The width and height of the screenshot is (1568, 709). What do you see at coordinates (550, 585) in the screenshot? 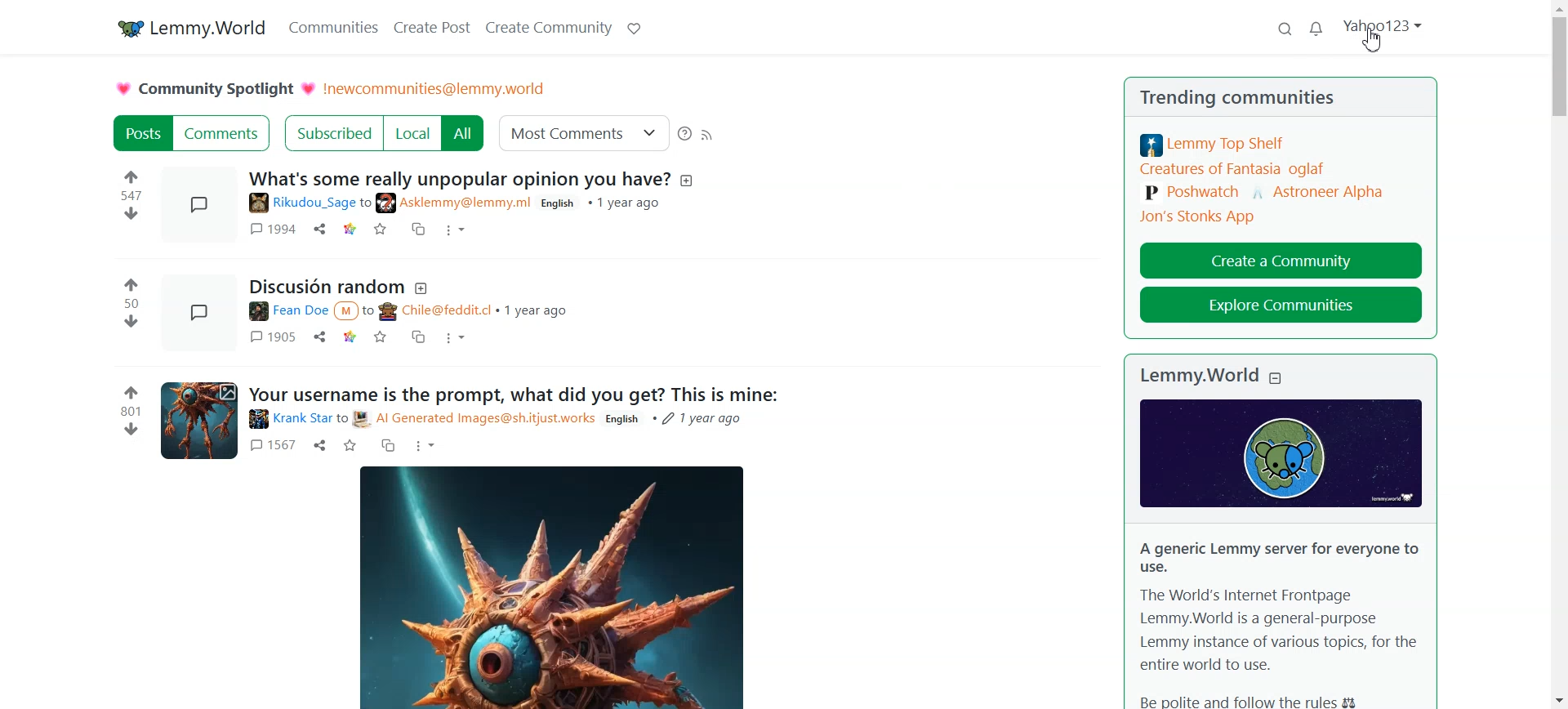
I see `post image` at bounding box center [550, 585].